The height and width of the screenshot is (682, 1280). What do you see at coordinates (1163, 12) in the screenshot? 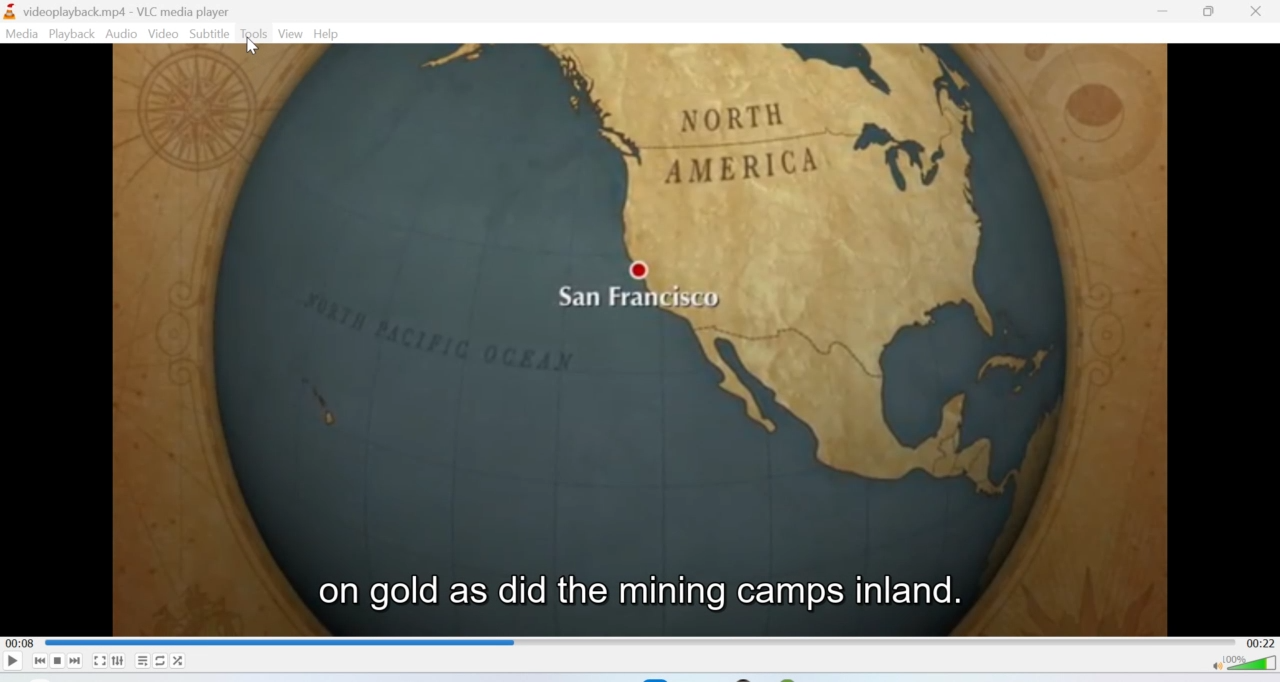
I see `Minimise` at bounding box center [1163, 12].